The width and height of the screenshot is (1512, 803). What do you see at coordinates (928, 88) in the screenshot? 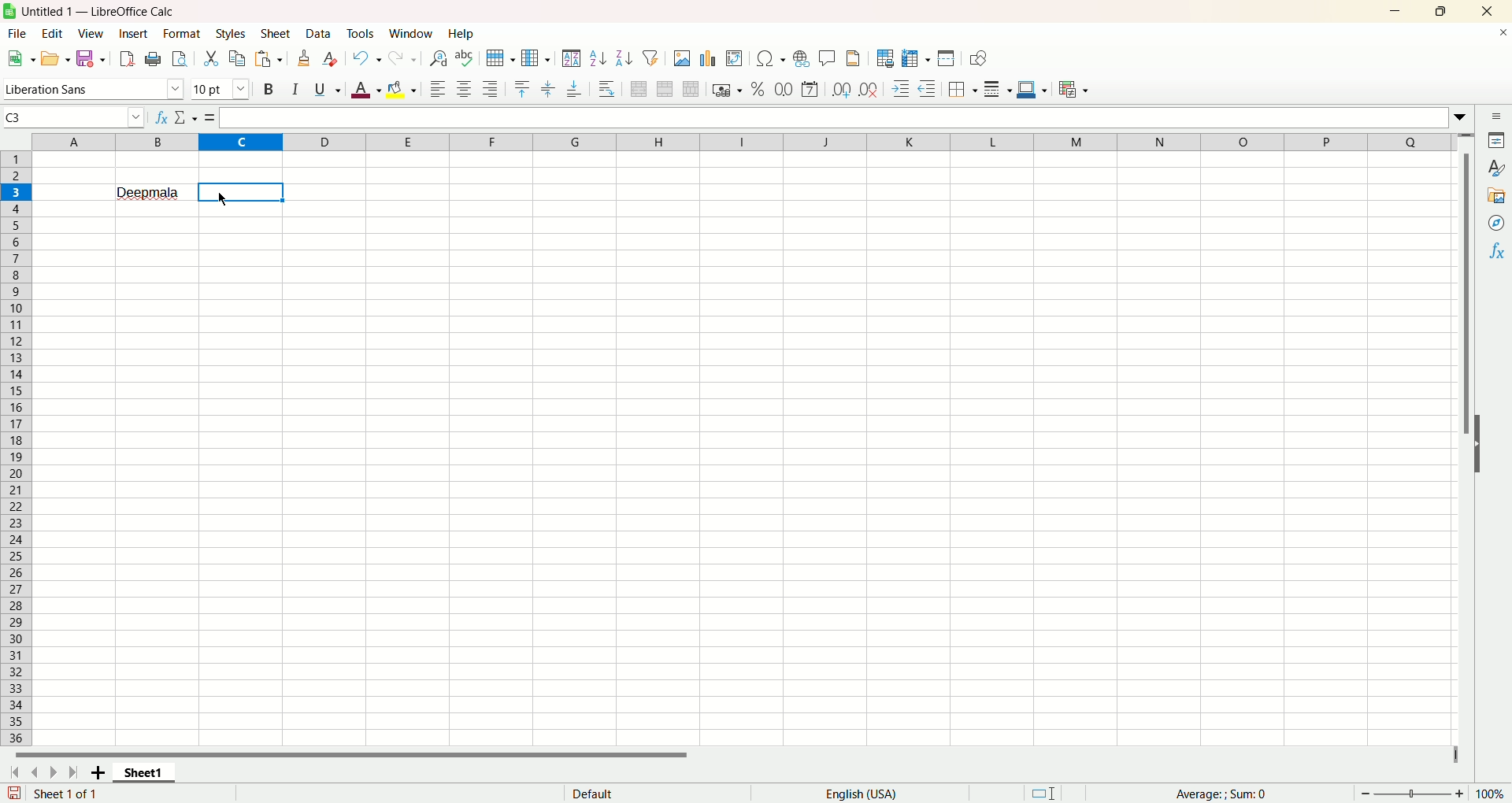
I see `Decrease indent` at bounding box center [928, 88].